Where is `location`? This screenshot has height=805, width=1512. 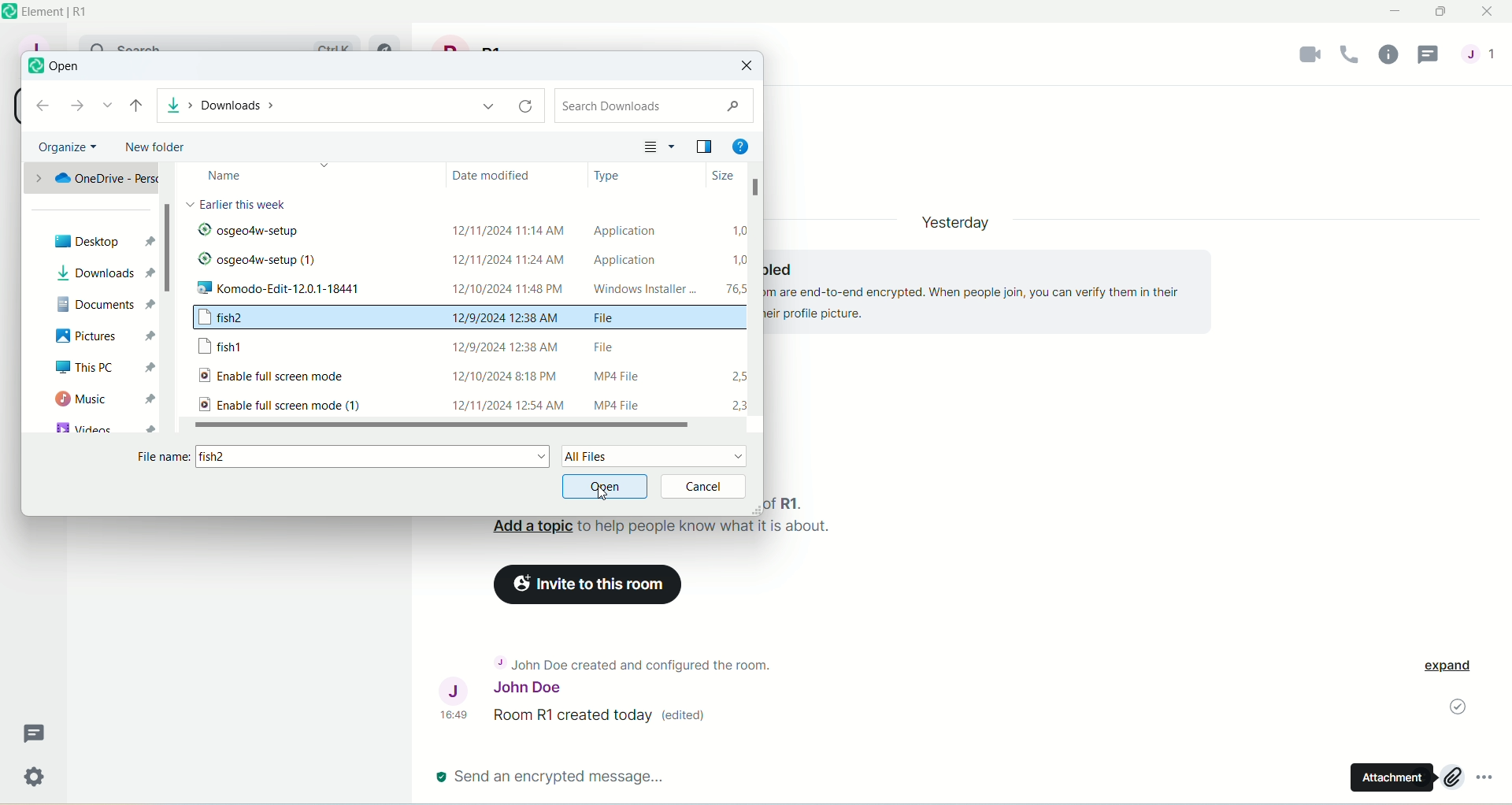
location is located at coordinates (348, 104).